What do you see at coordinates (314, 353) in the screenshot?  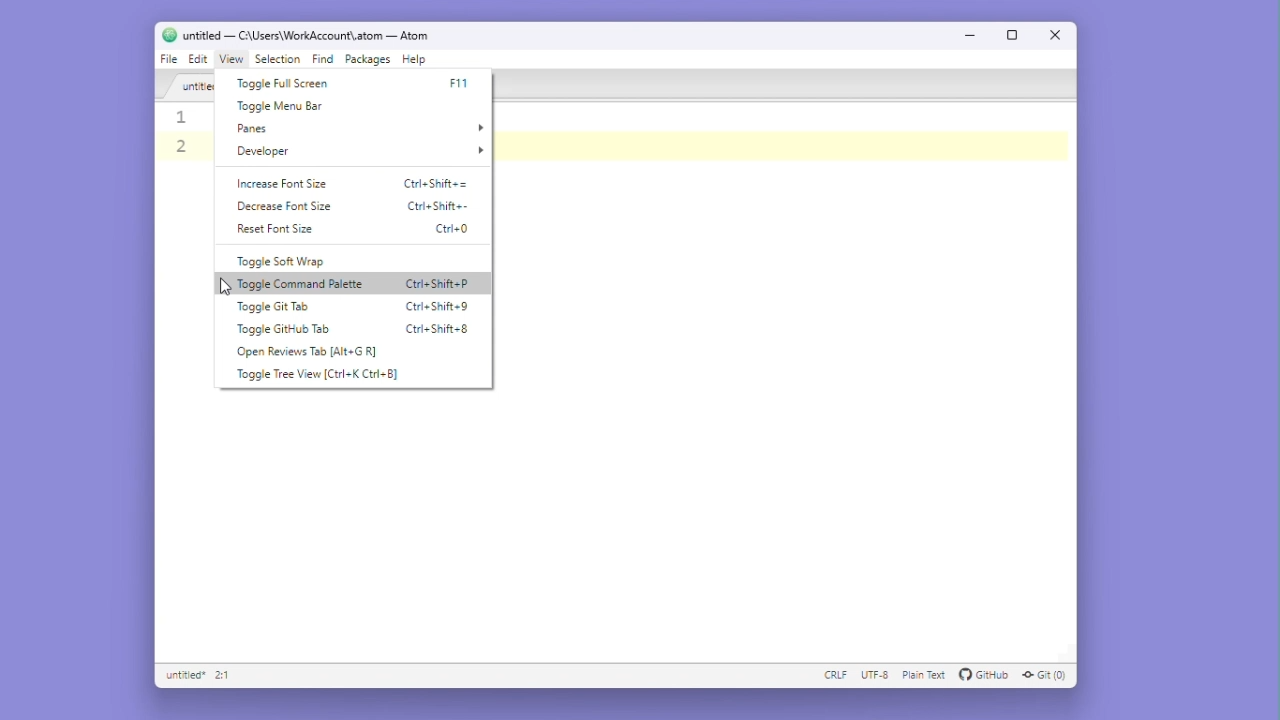 I see `open reviews tab` at bounding box center [314, 353].